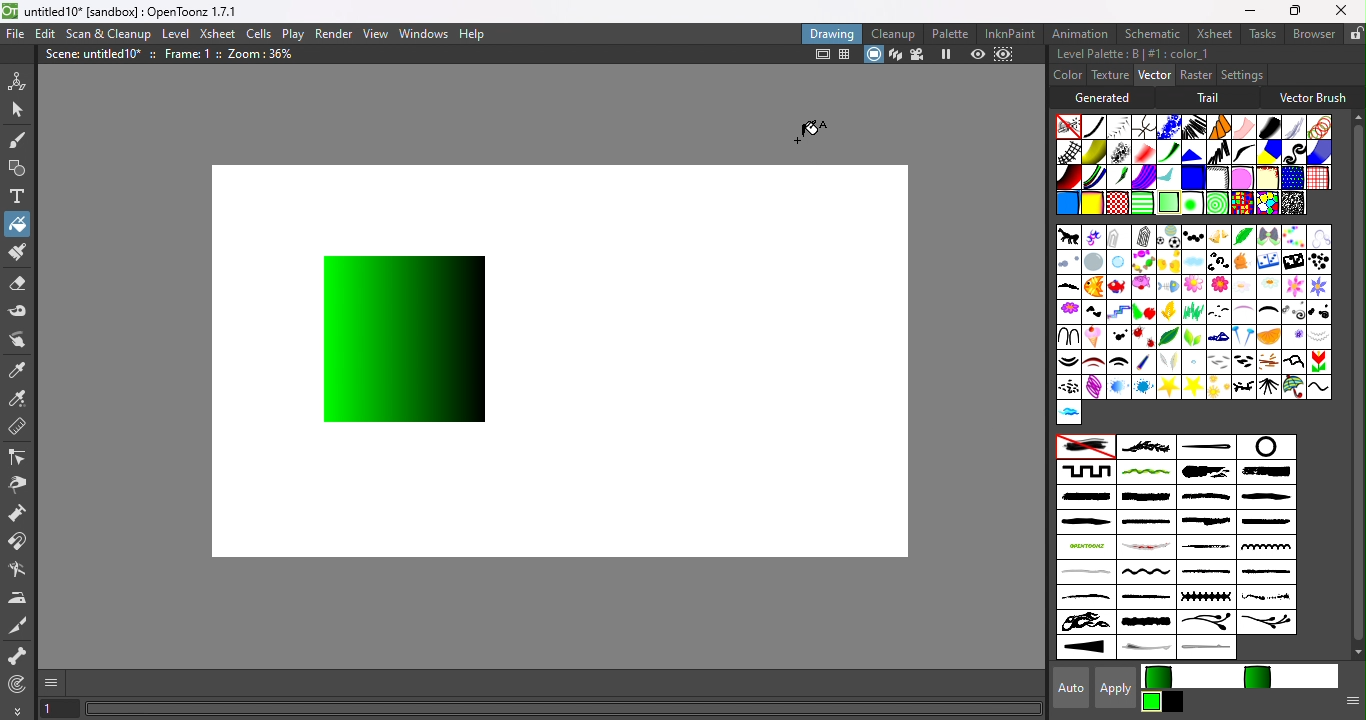  I want to click on big_, so click(1243, 236).